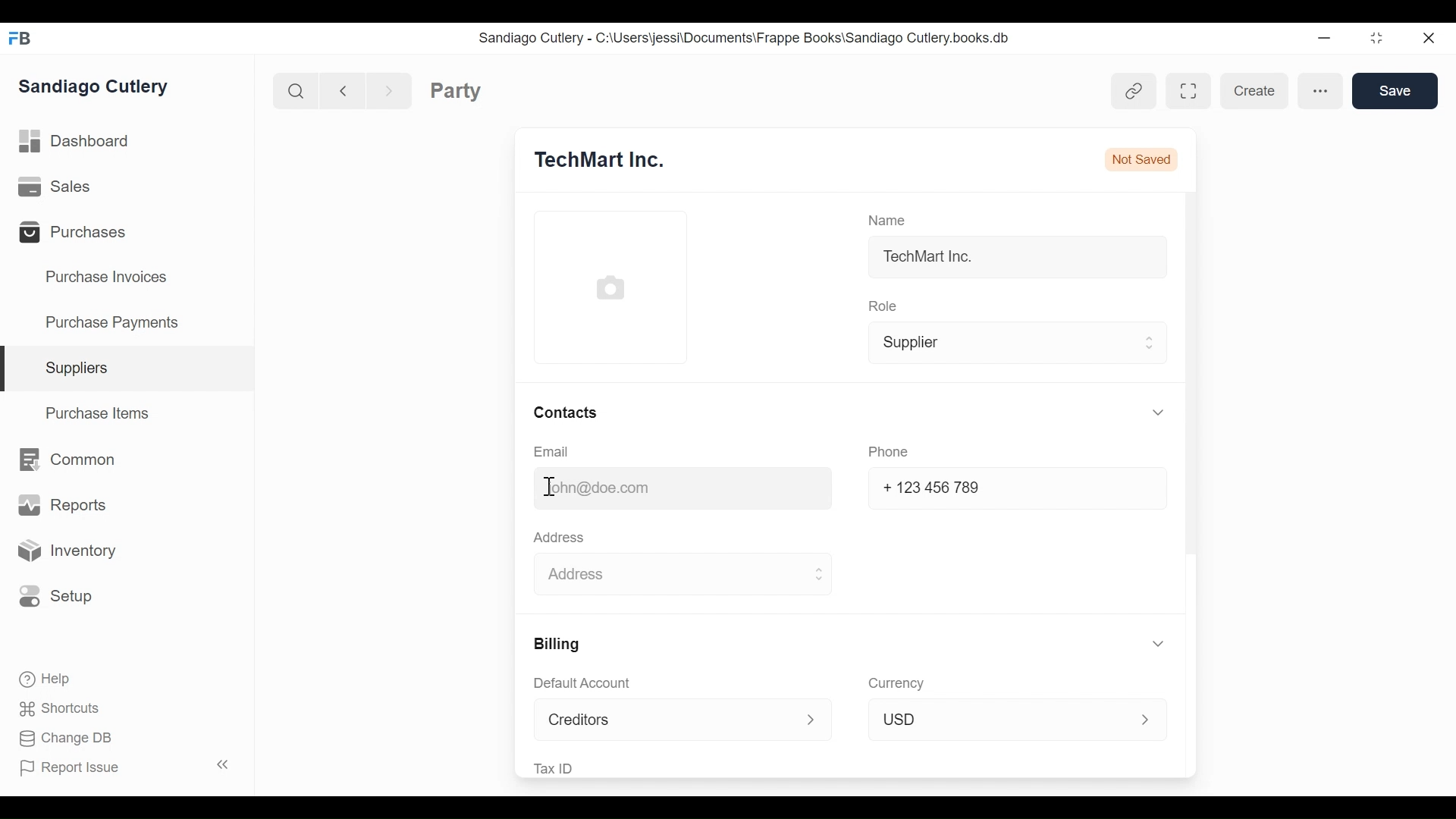  I want to click on expand, so click(224, 762).